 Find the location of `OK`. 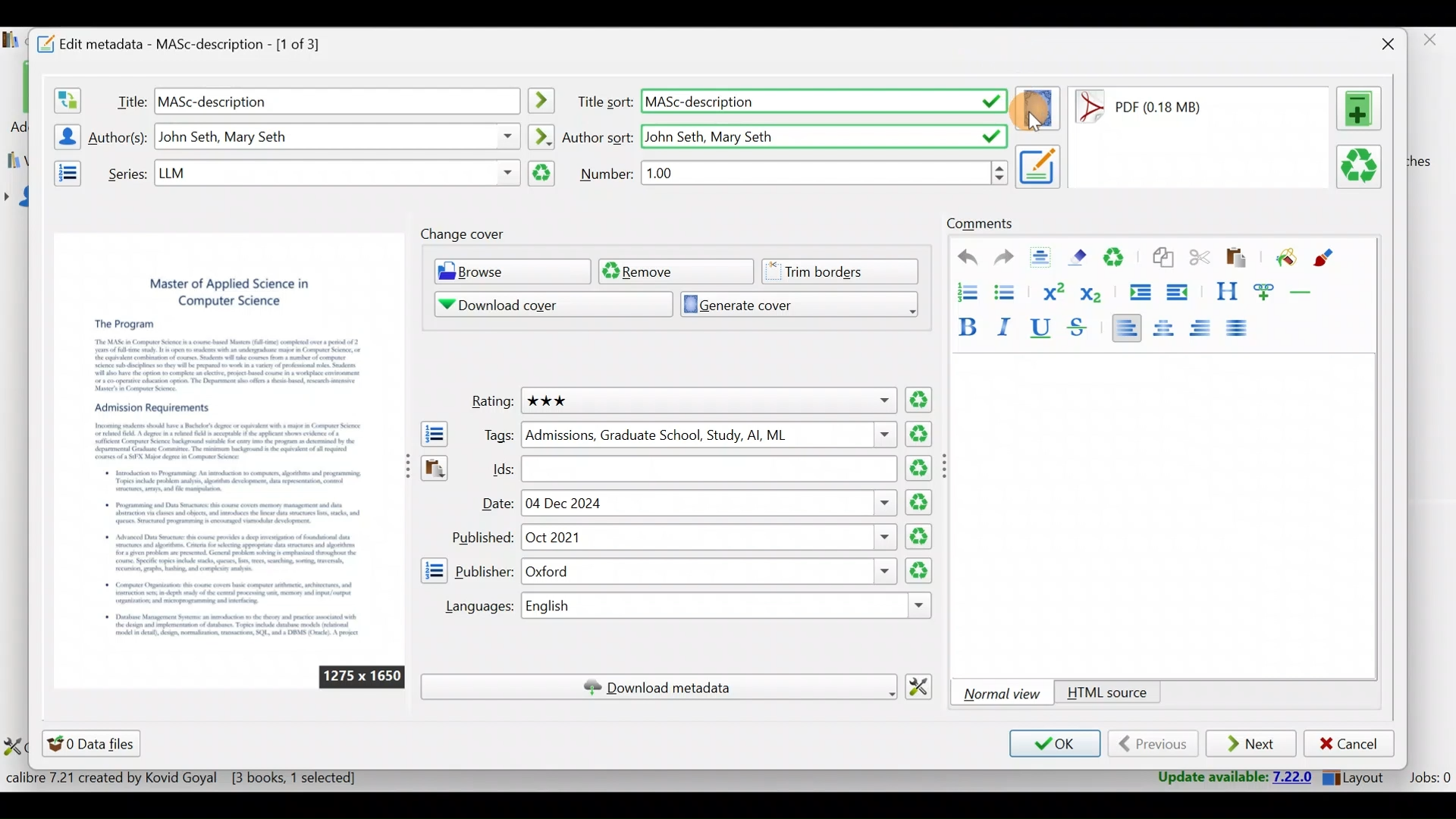

OK is located at coordinates (1053, 745).